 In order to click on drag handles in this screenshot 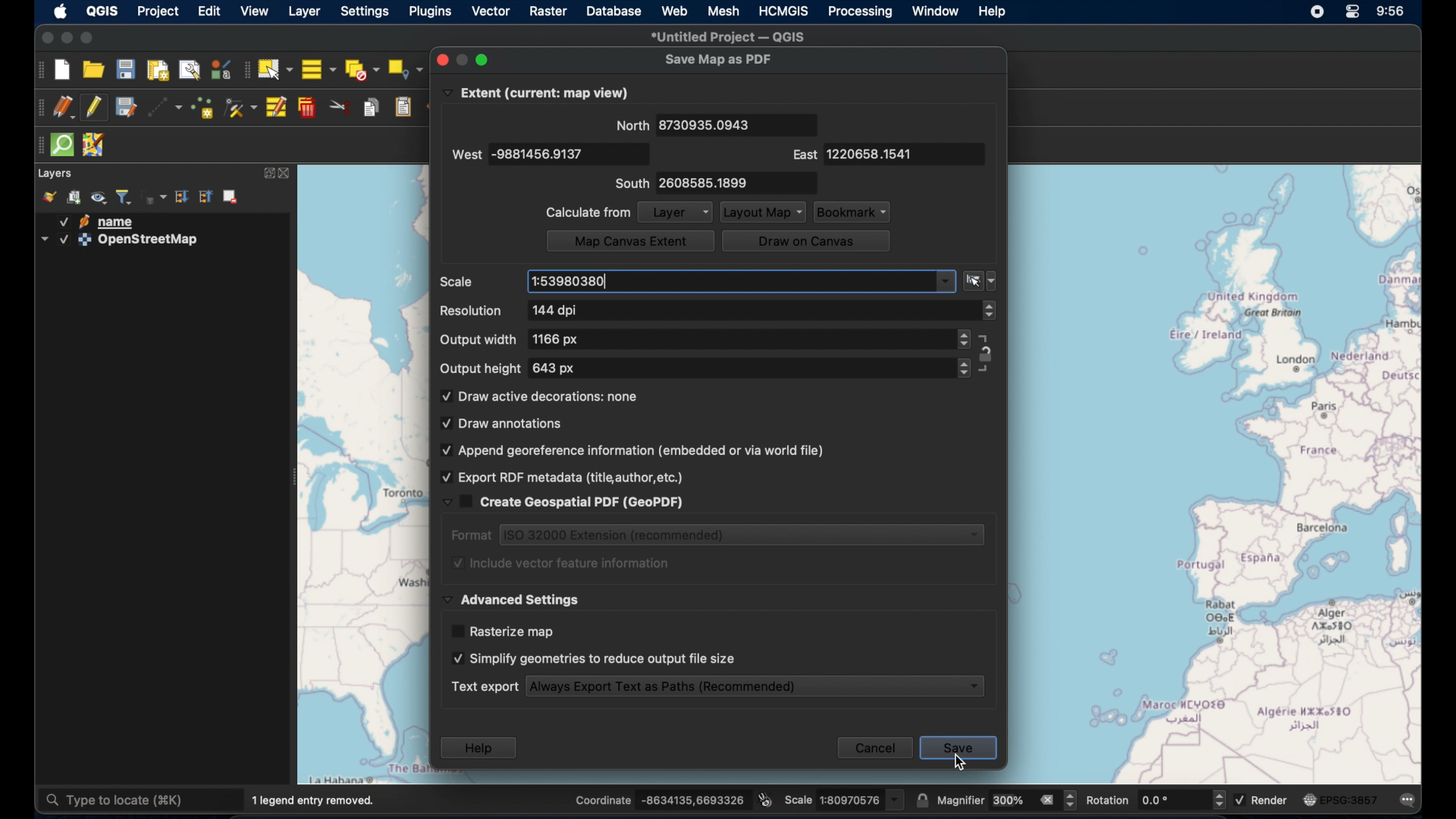, I will do `click(36, 147)`.